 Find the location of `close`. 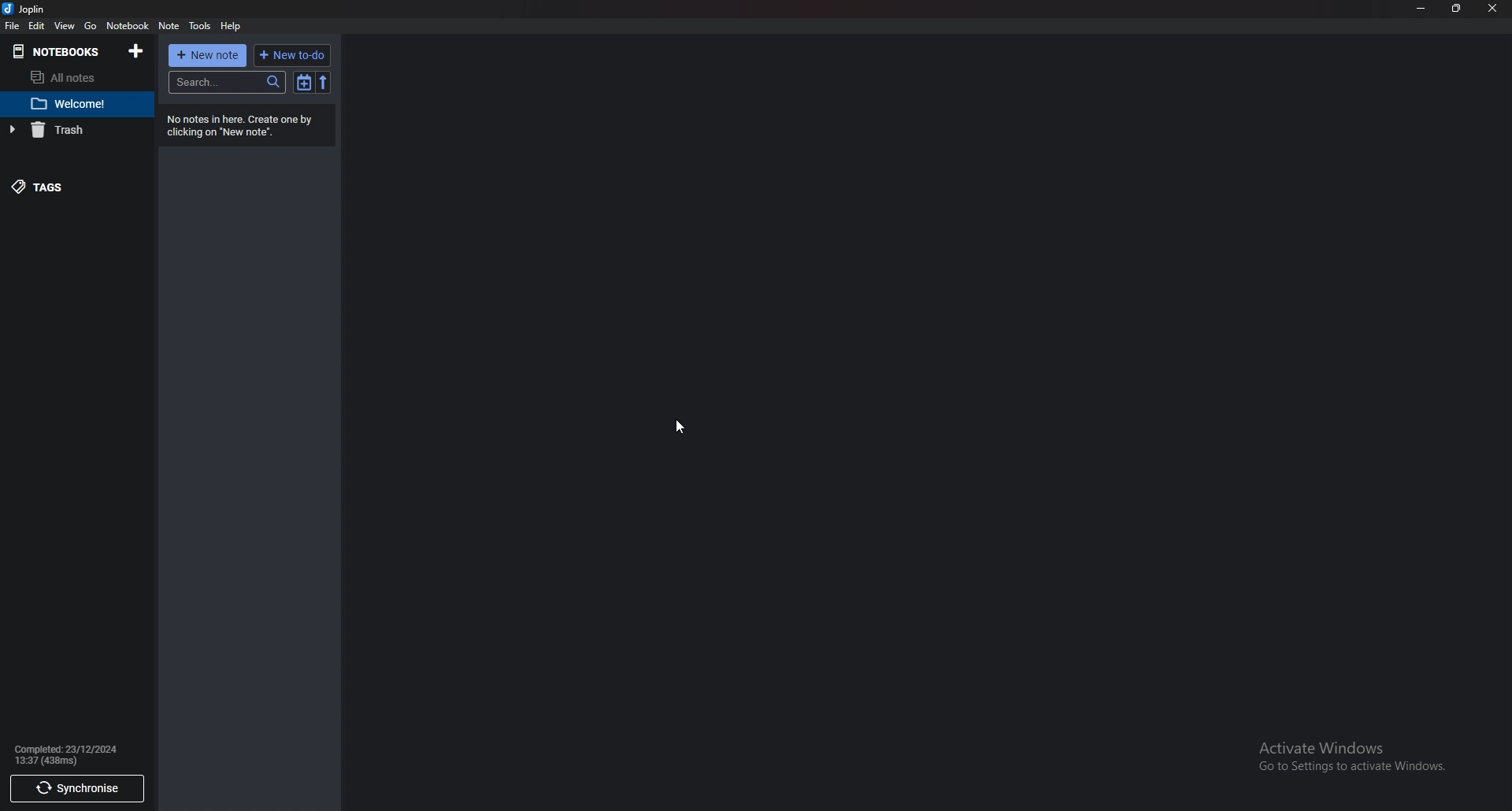

close is located at coordinates (1492, 8).